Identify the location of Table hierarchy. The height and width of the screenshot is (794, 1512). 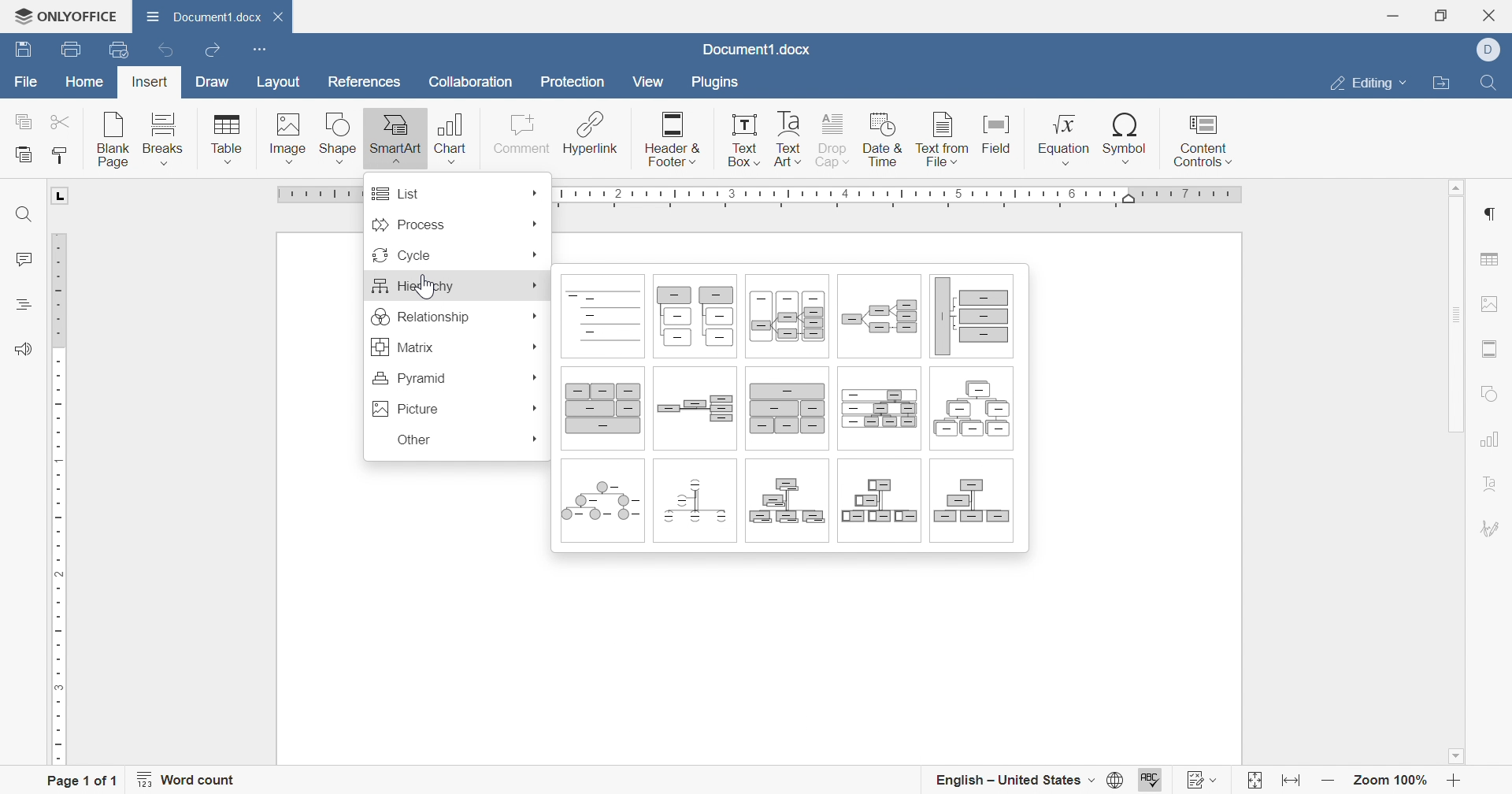
(786, 411).